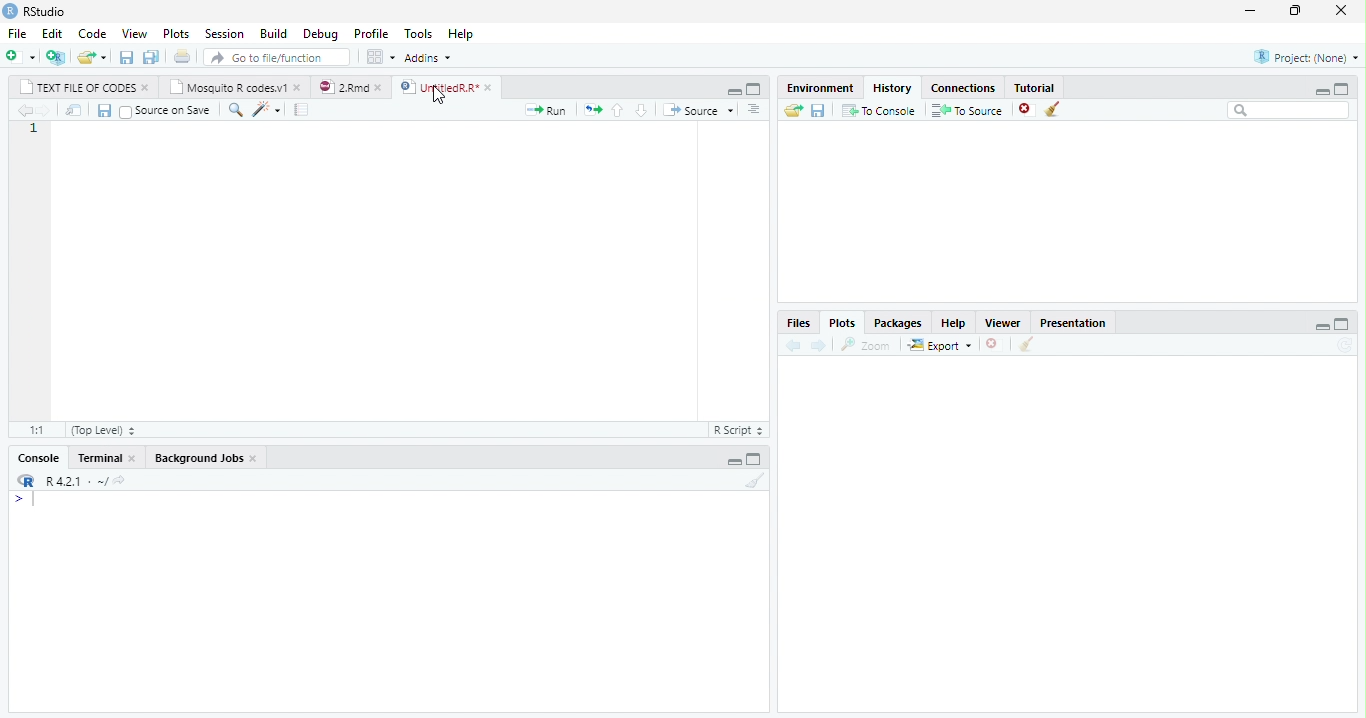 This screenshot has height=718, width=1366. I want to click on code tools, so click(266, 111).